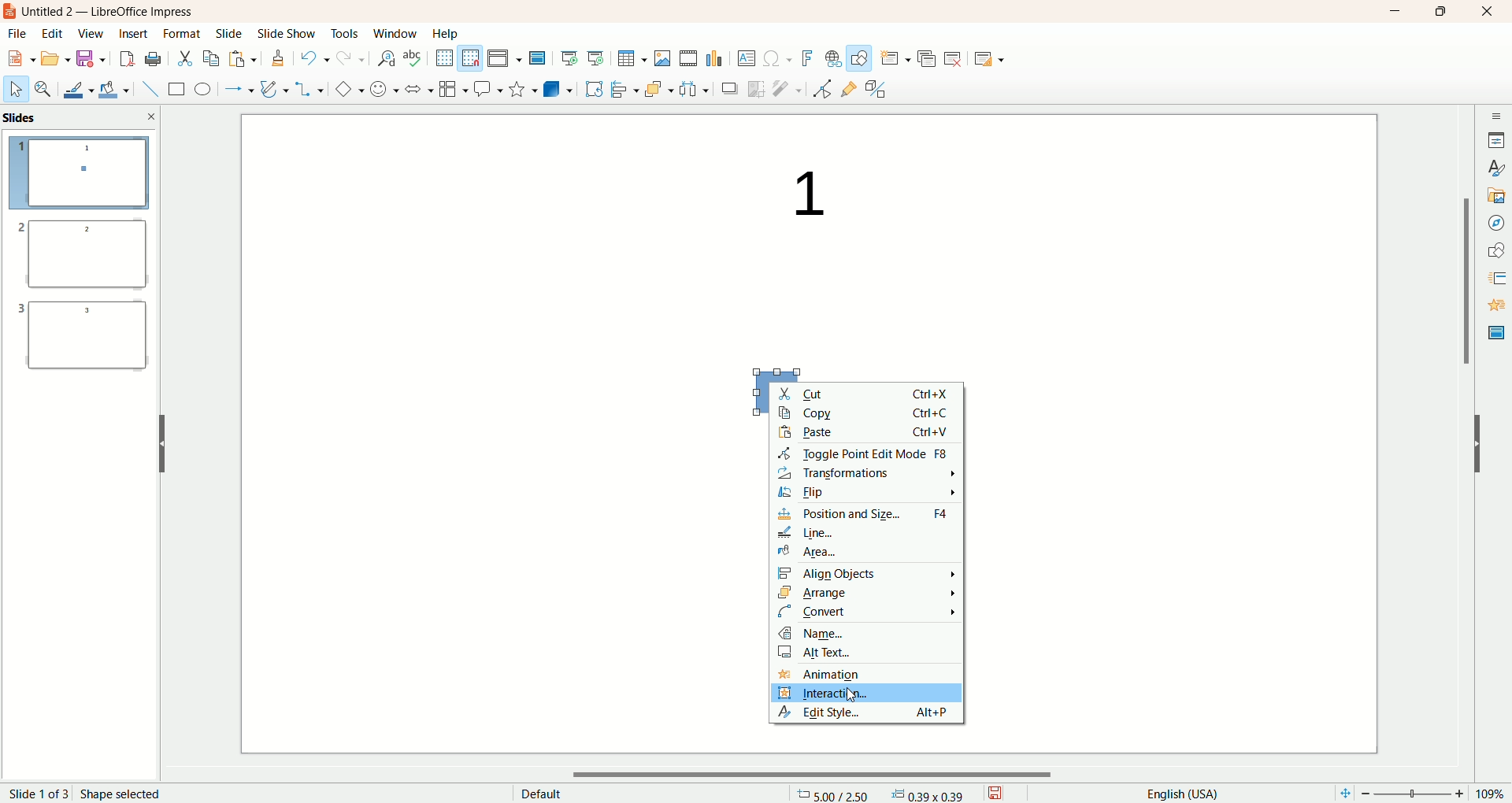  Describe the element at coordinates (776, 59) in the screenshot. I see `special character` at that location.